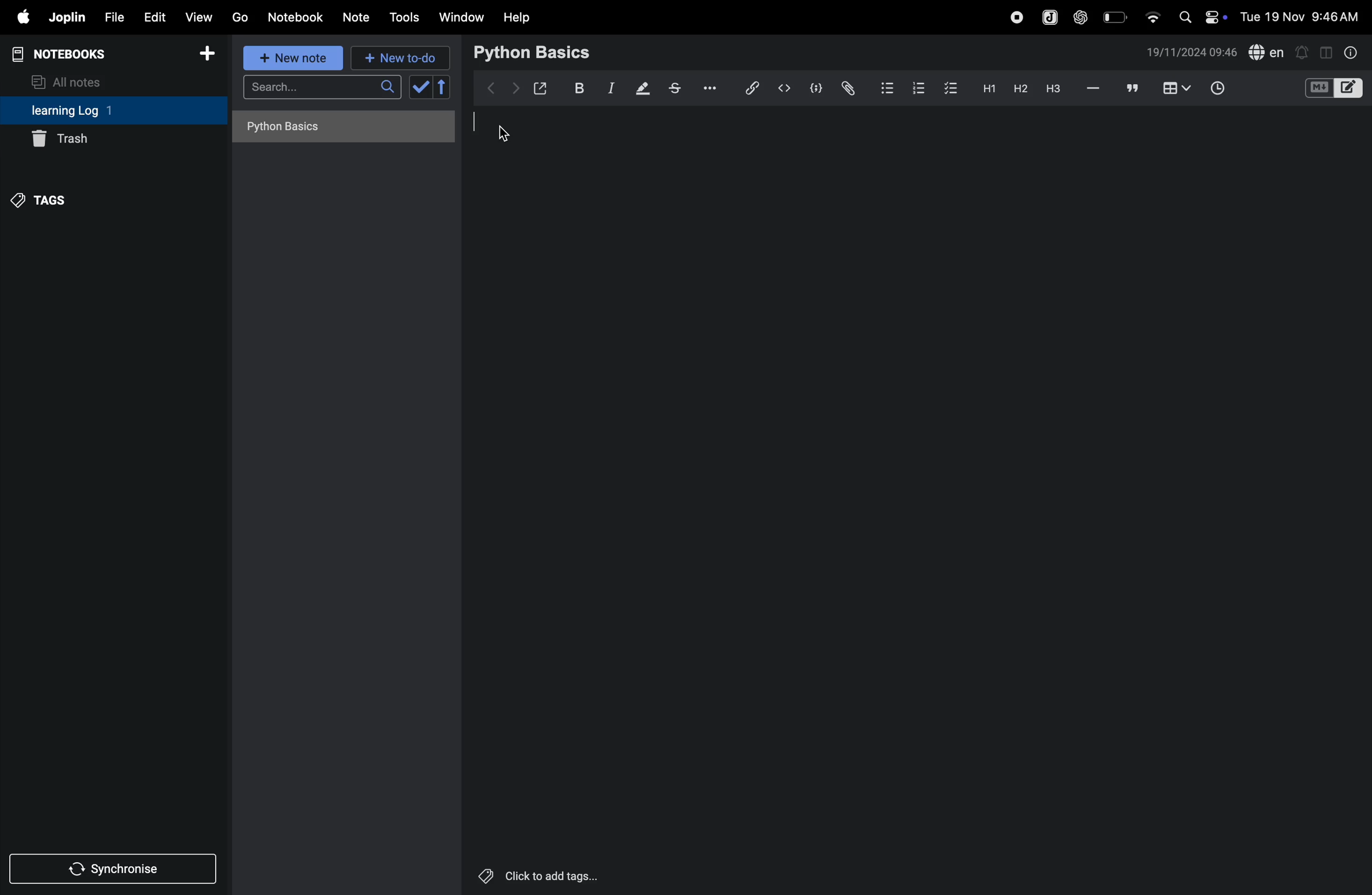 The image size is (1372, 895). I want to click on info, so click(1349, 52).